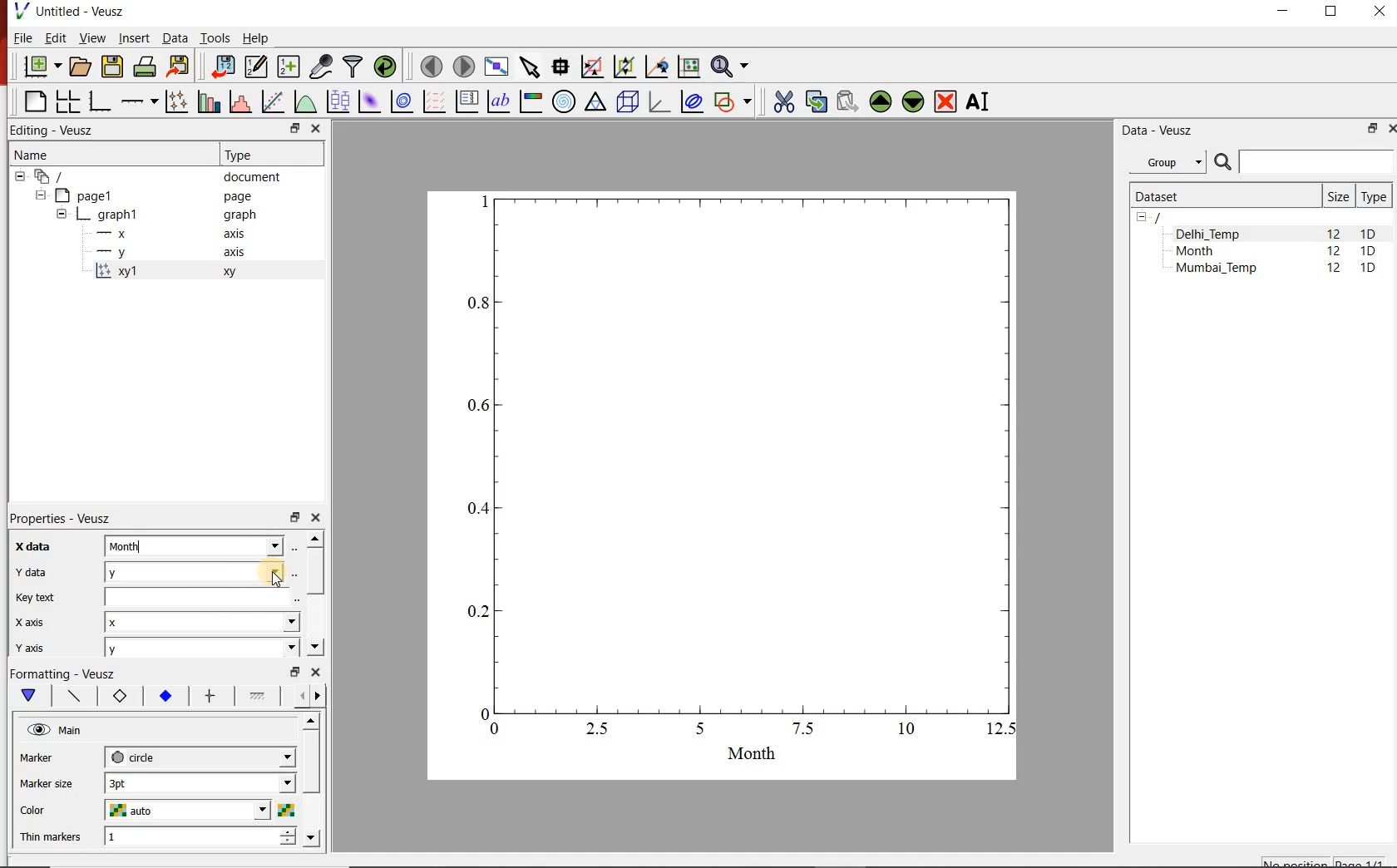 This screenshot has width=1397, height=868. What do you see at coordinates (1303, 163) in the screenshot?
I see `SEARCH DATASETS` at bounding box center [1303, 163].